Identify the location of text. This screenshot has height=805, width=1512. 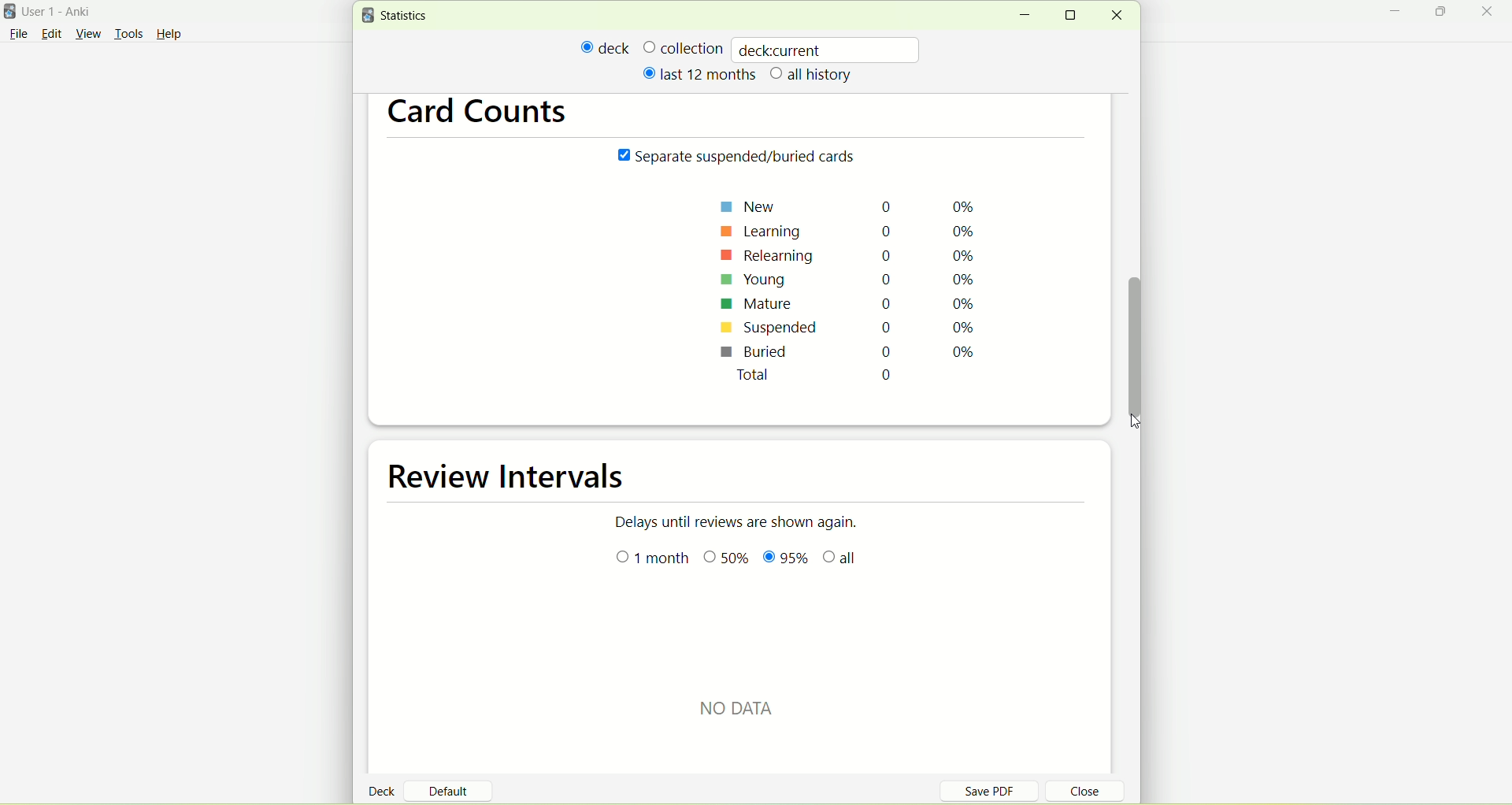
(753, 706).